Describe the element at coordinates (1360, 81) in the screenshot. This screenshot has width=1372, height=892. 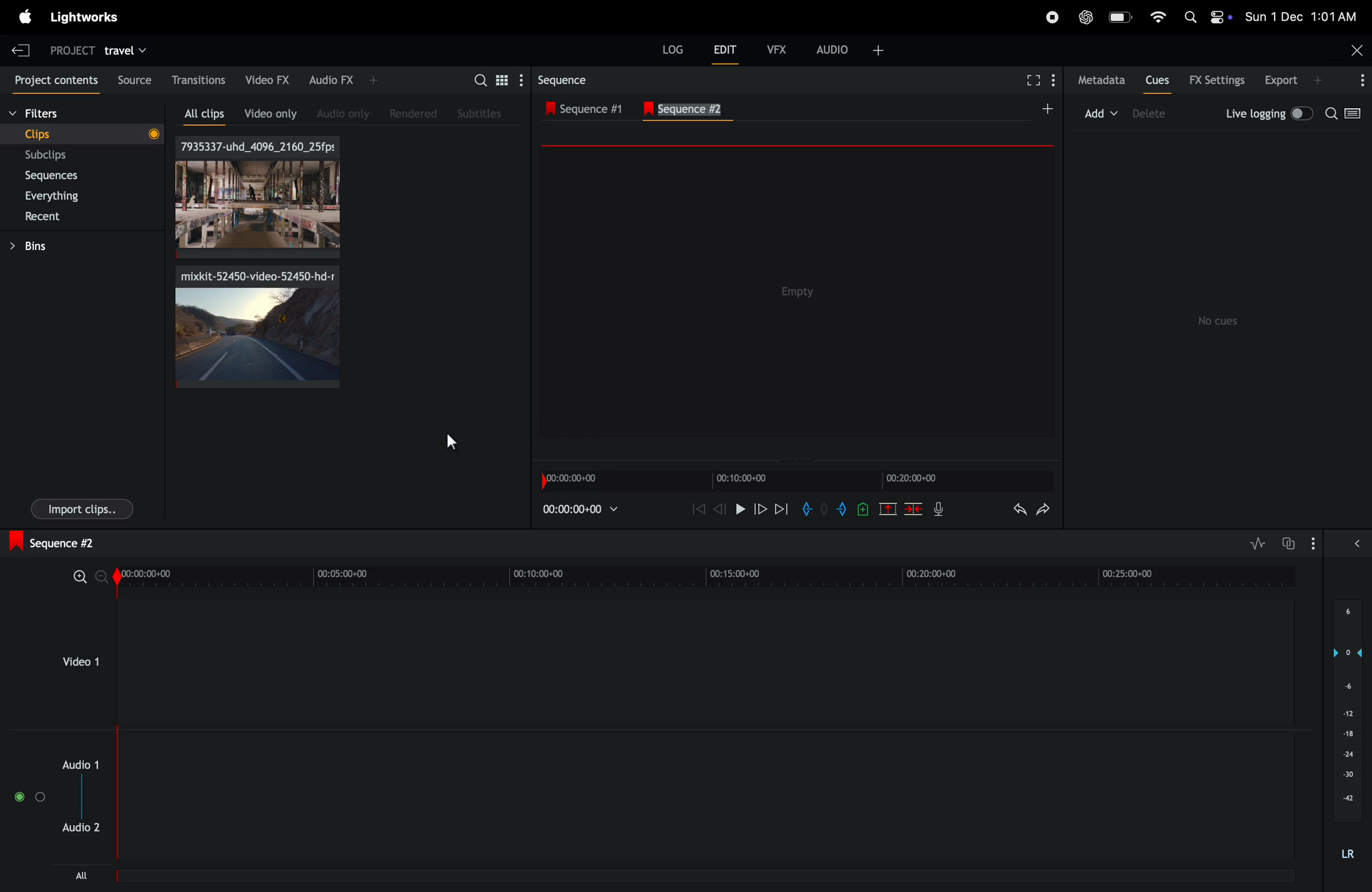
I see `options` at that location.